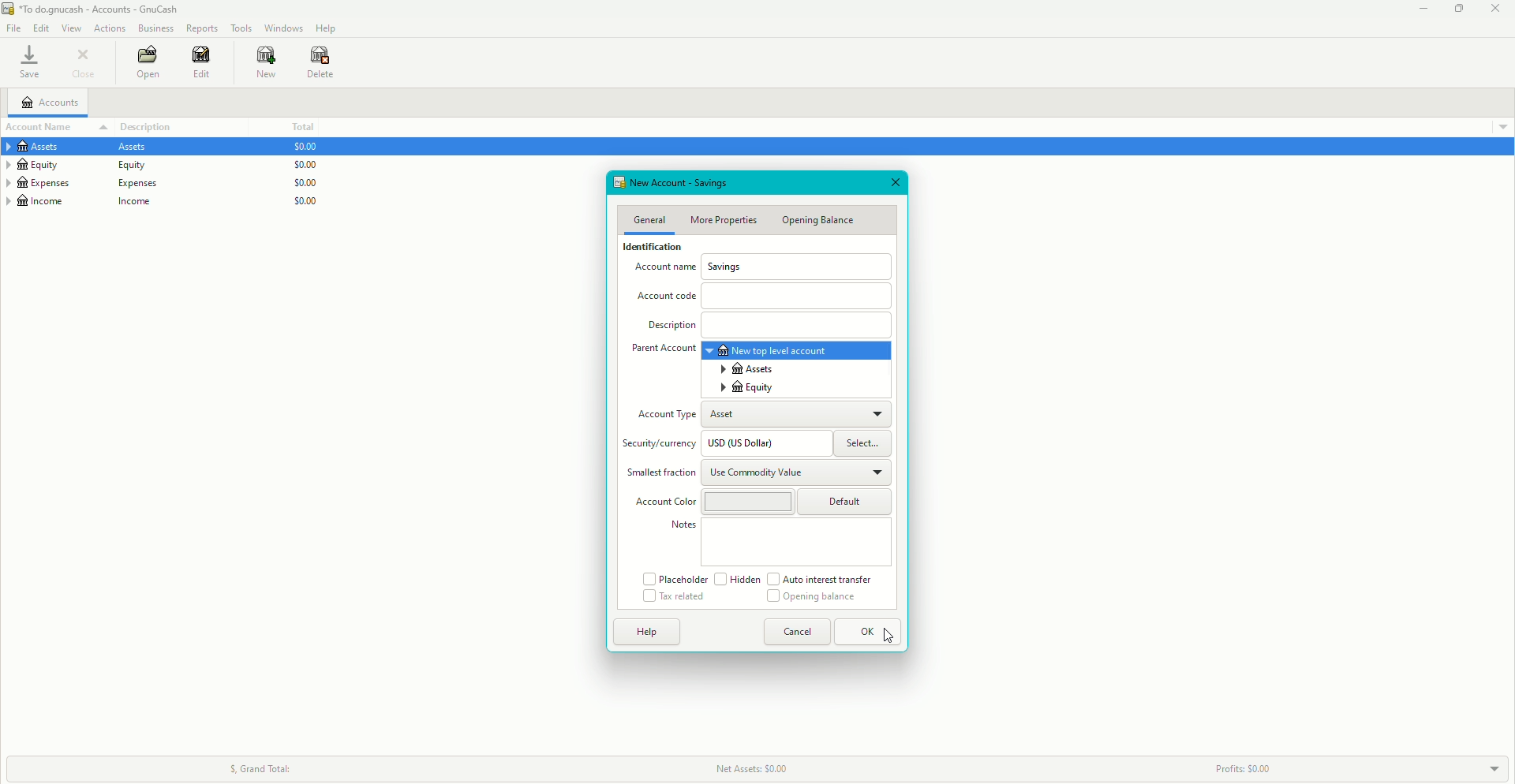  Describe the element at coordinates (772, 350) in the screenshot. I see `New top level account` at that location.